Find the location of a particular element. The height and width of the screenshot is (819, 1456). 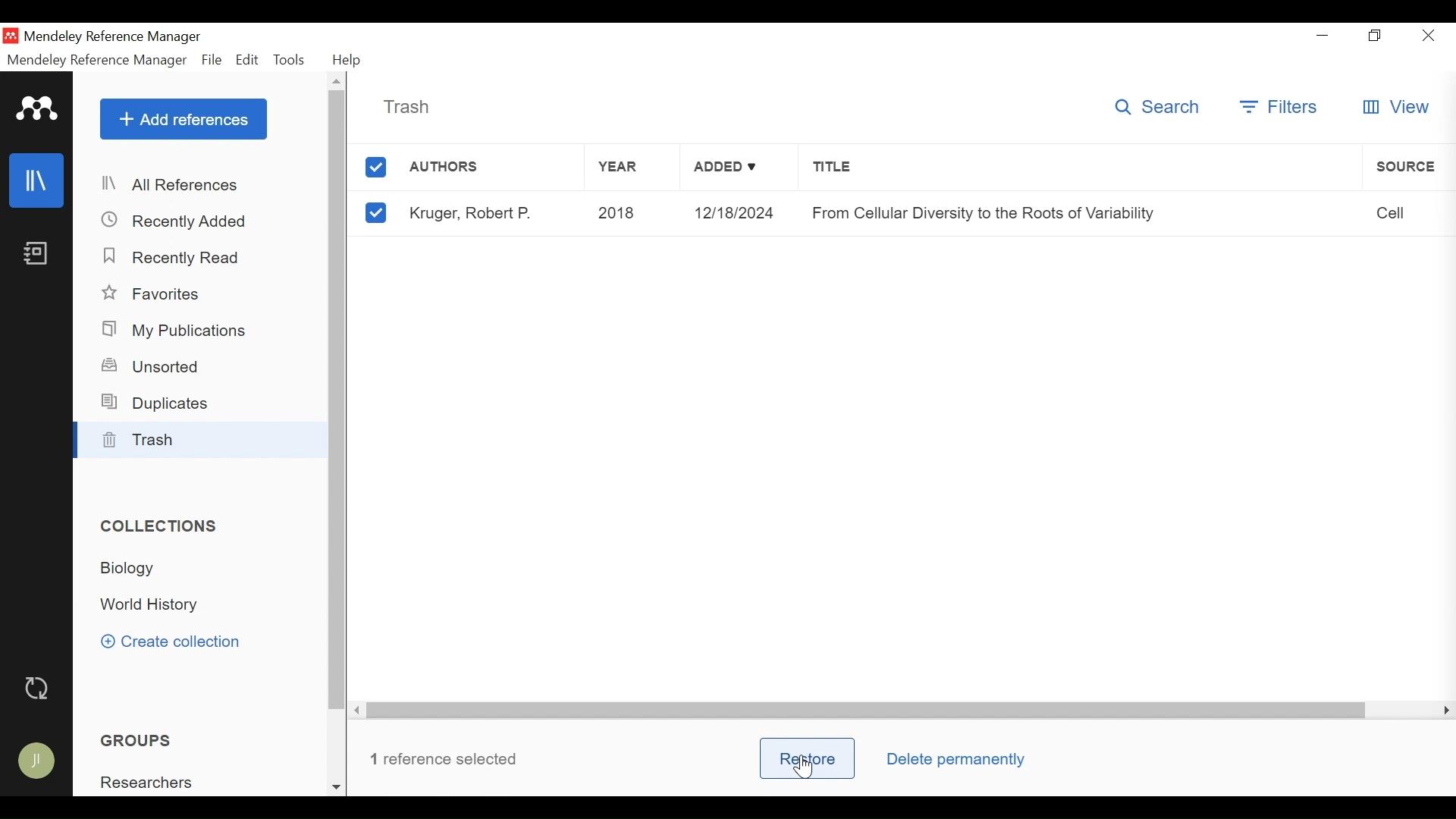

Cursor is located at coordinates (808, 765).